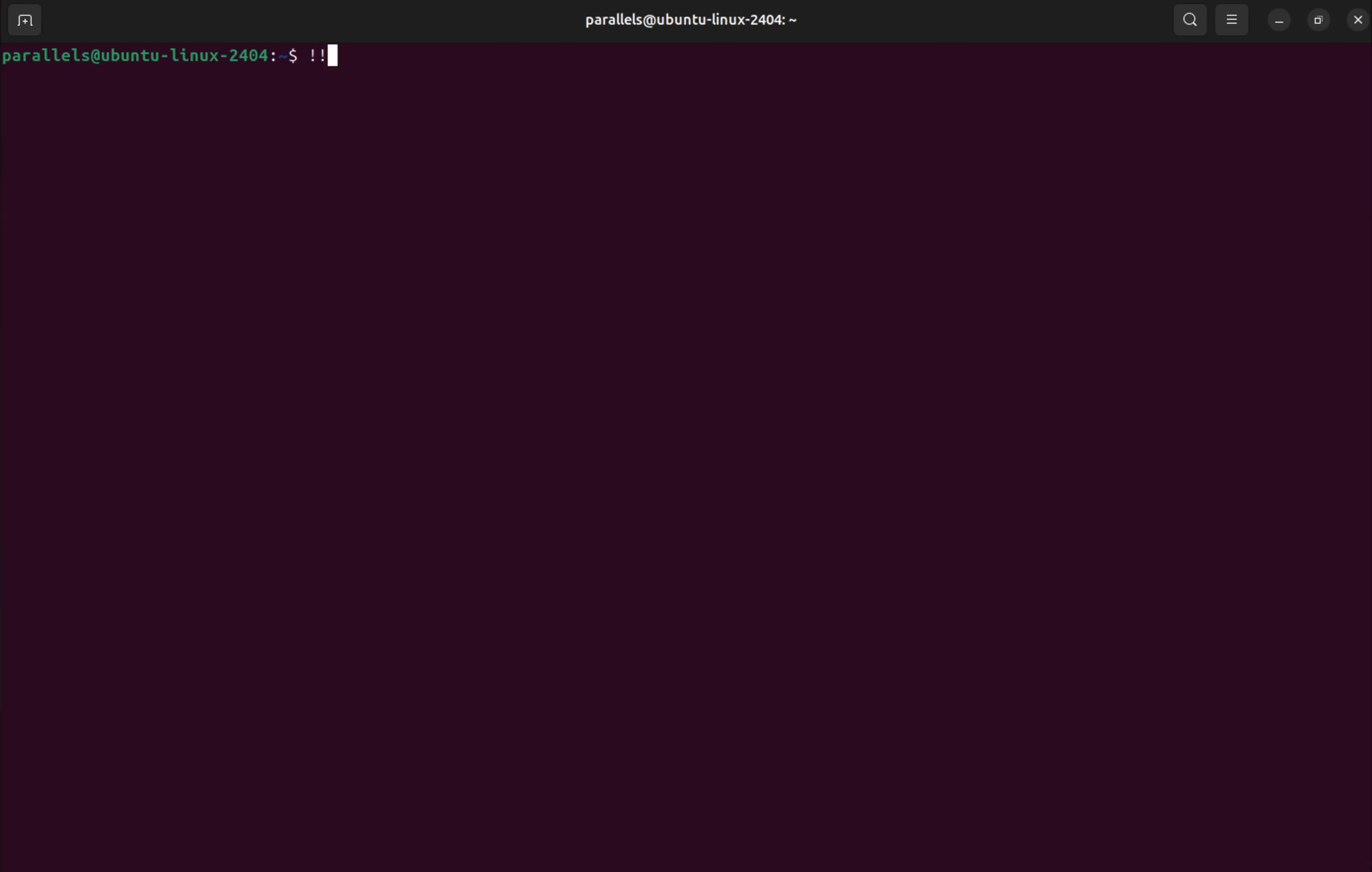 The width and height of the screenshot is (1372, 872). I want to click on user profile, so click(697, 19).